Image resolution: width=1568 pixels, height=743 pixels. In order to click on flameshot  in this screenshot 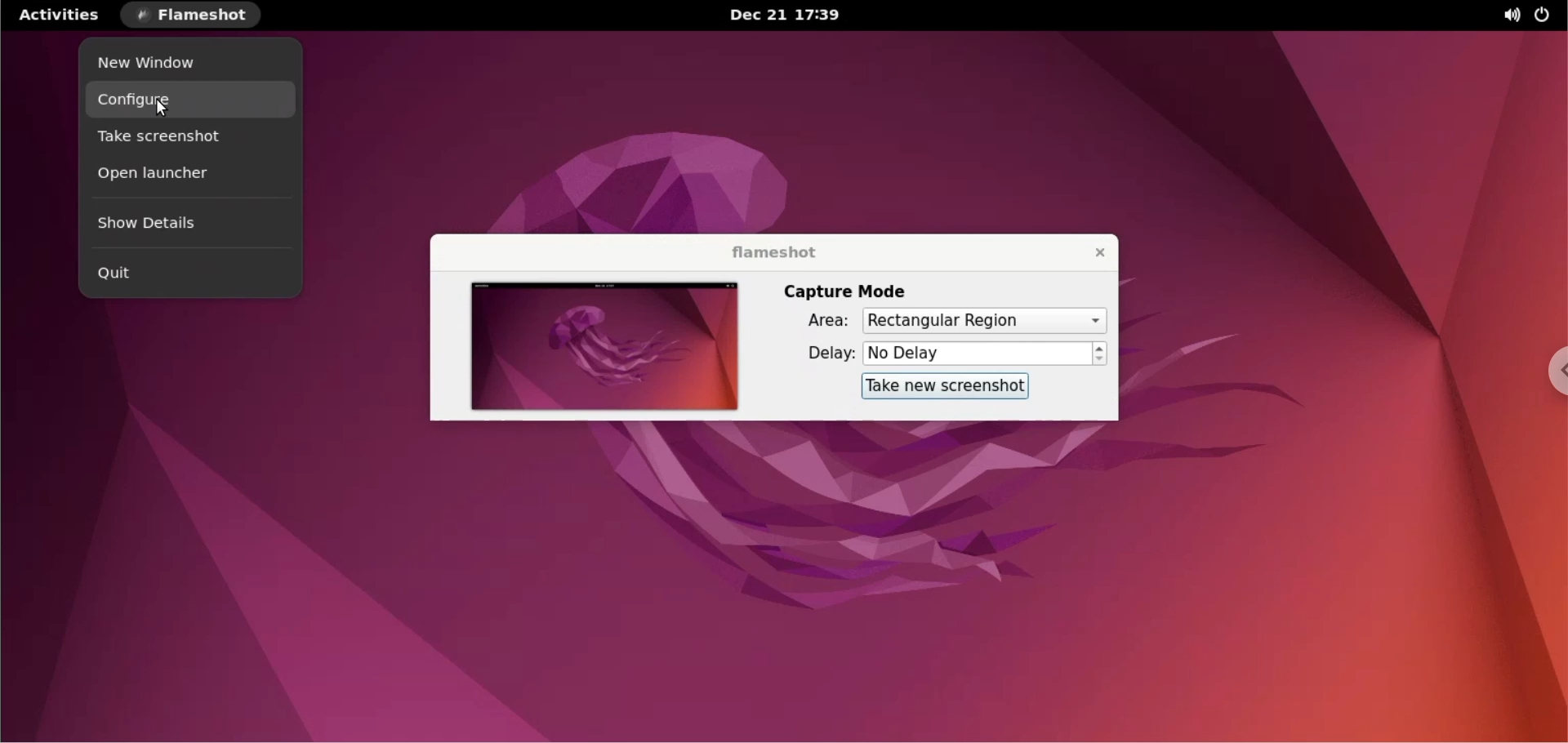, I will do `click(770, 252)`.